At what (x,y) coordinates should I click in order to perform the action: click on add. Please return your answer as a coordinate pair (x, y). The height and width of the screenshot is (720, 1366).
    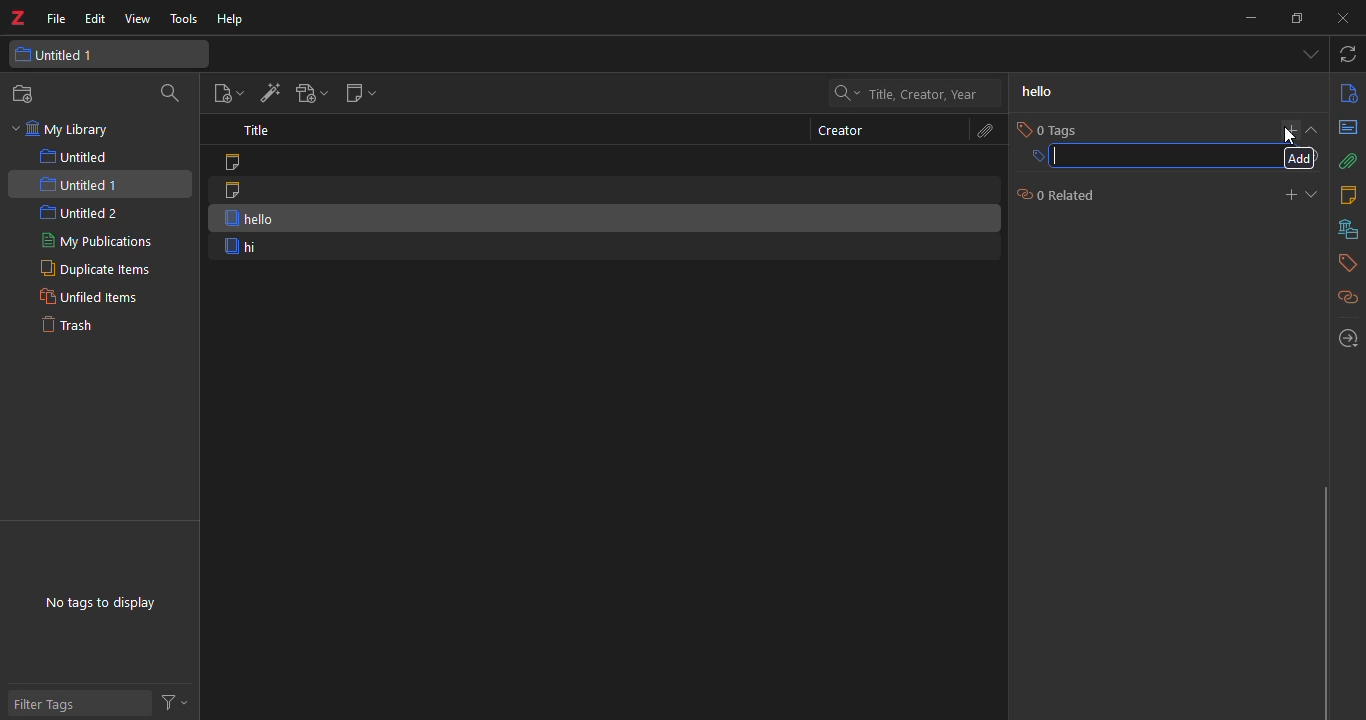
    Looking at the image, I should click on (1288, 193).